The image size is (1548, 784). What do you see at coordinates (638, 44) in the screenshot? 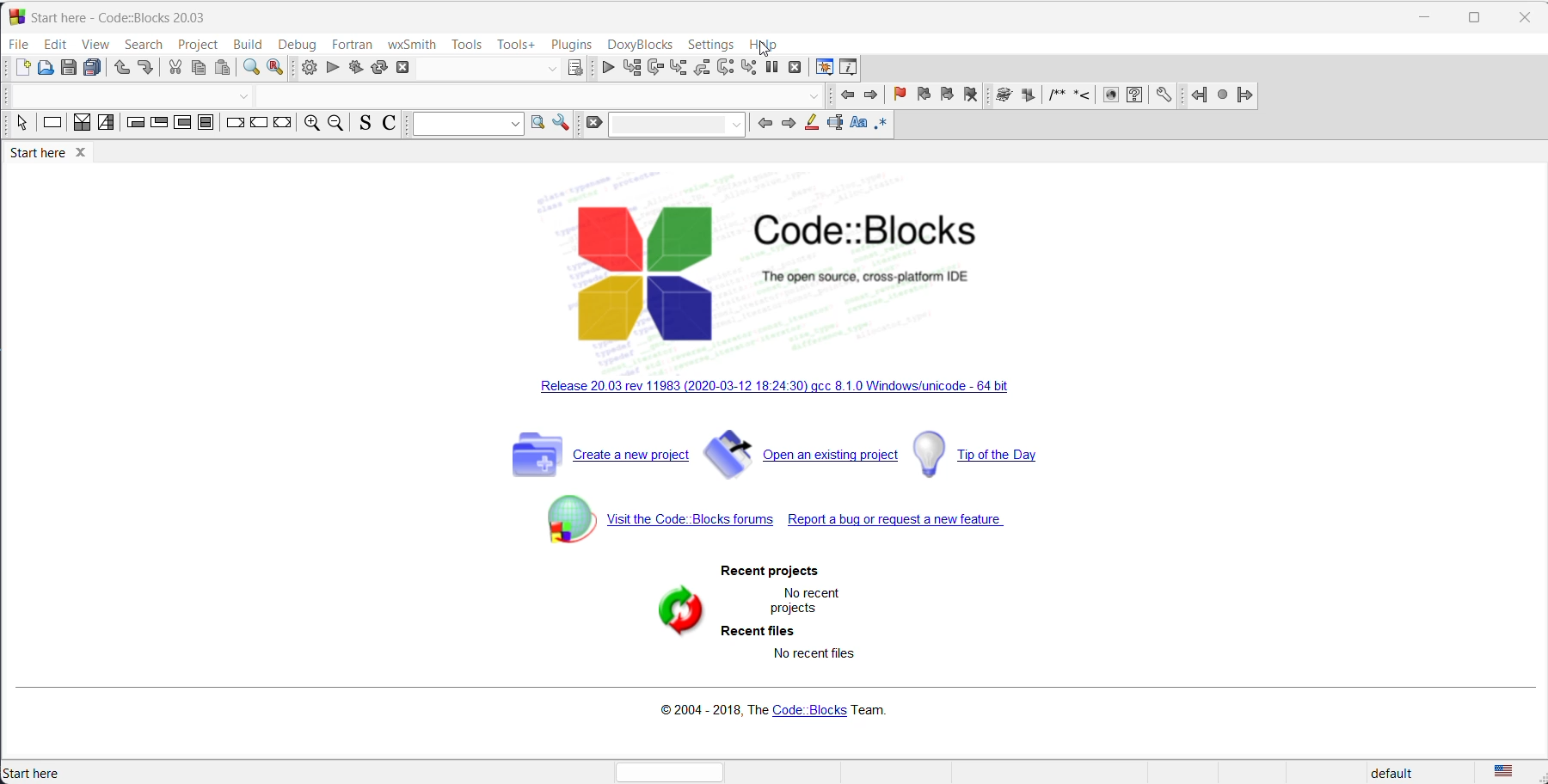
I see `DoxyBlocks` at bounding box center [638, 44].